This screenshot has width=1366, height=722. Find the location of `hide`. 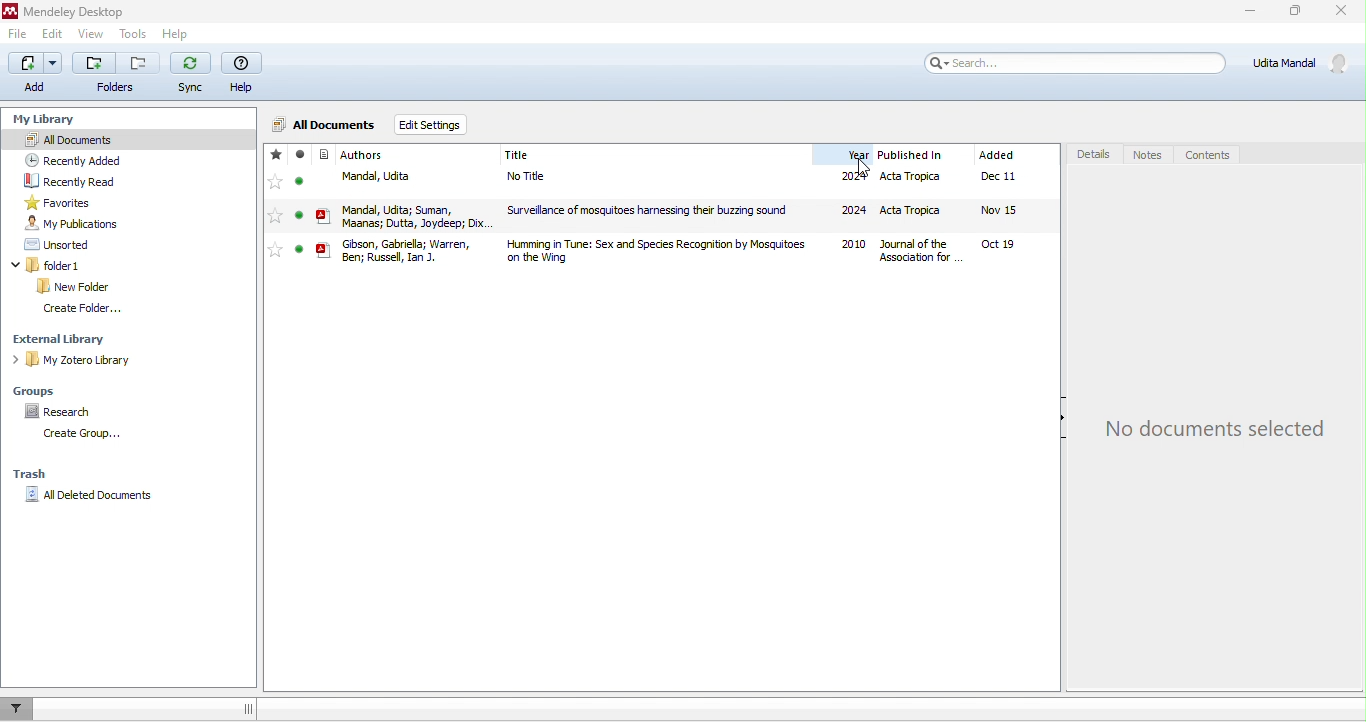

hide is located at coordinates (1054, 425).